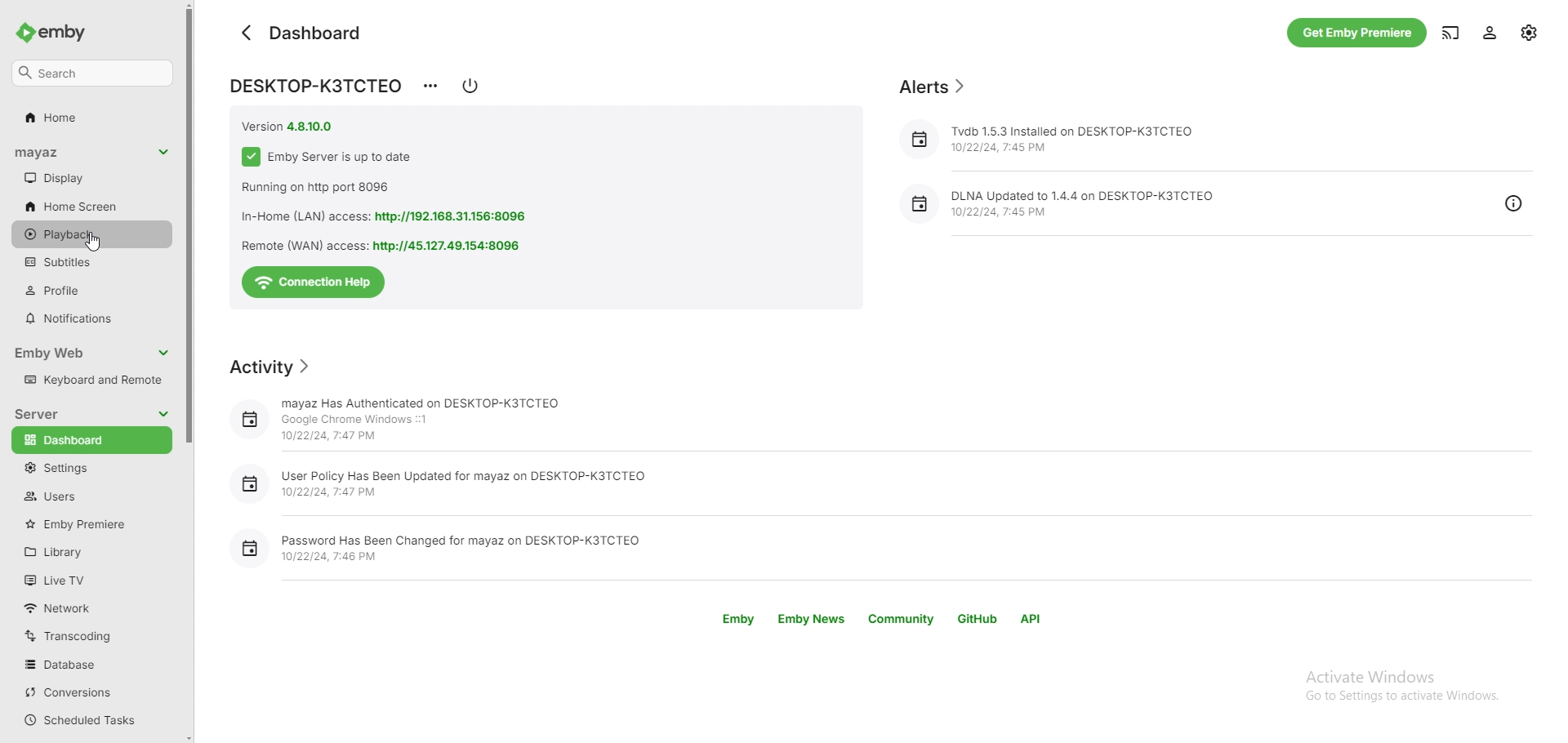 The height and width of the screenshot is (743, 1568). Describe the element at coordinates (471, 86) in the screenshot. I see `shut down options` at that location.